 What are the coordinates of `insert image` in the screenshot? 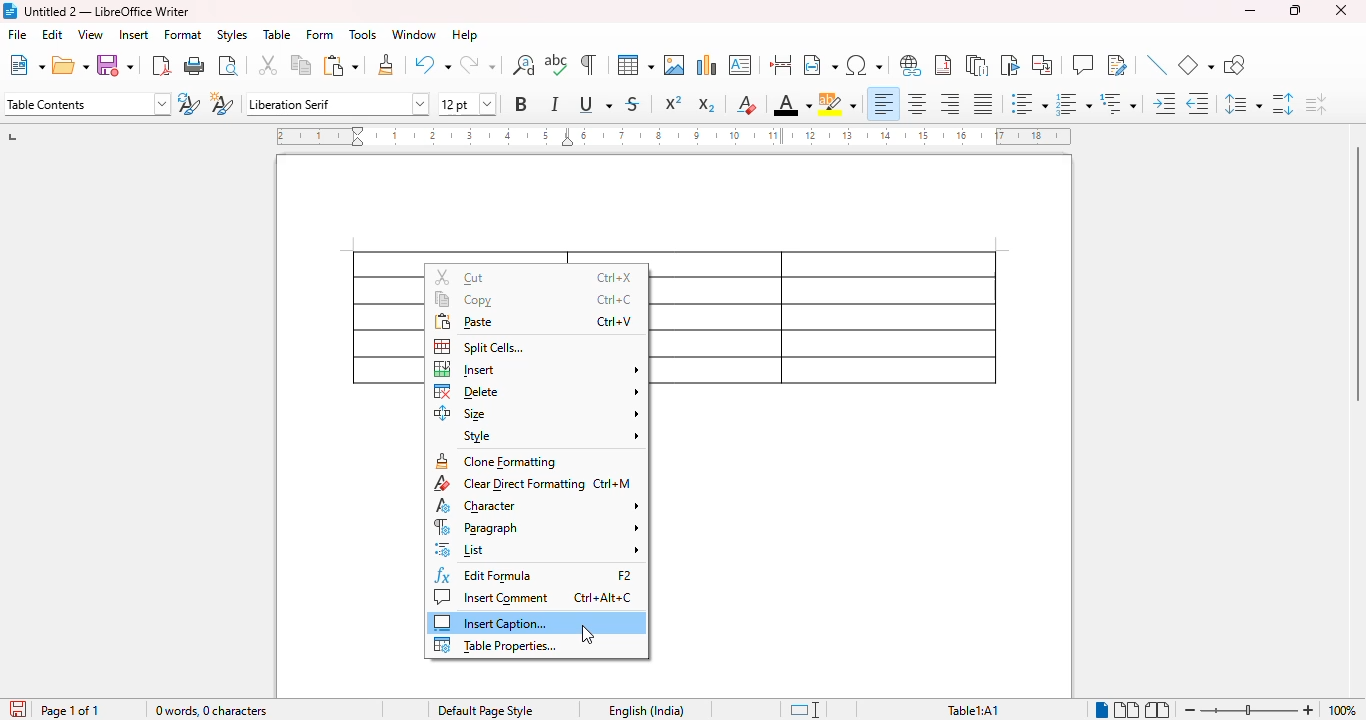 It's located at (675, 65).